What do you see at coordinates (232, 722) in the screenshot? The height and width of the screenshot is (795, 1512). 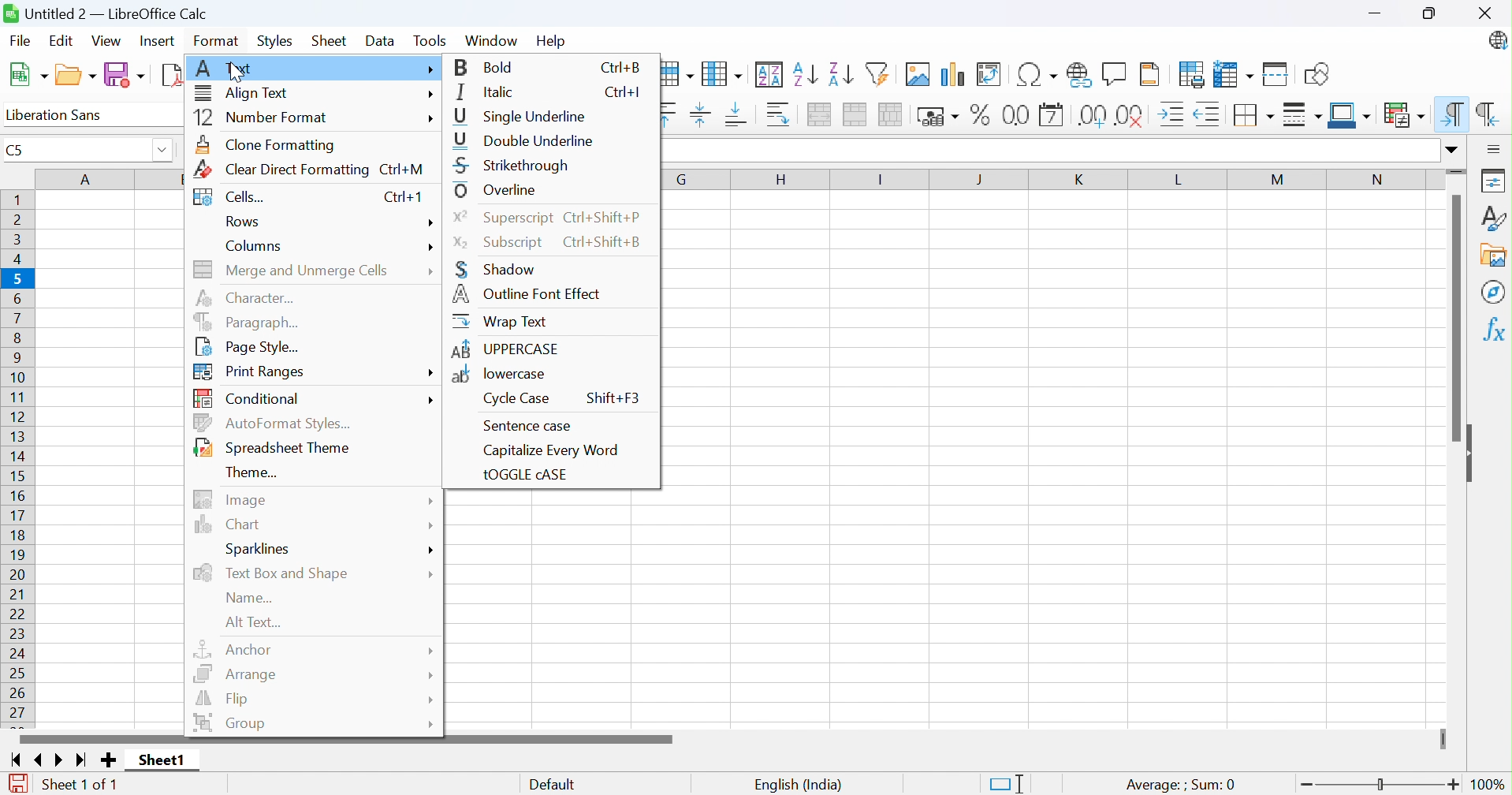 I see `Group` at bounding box center [232, 722].